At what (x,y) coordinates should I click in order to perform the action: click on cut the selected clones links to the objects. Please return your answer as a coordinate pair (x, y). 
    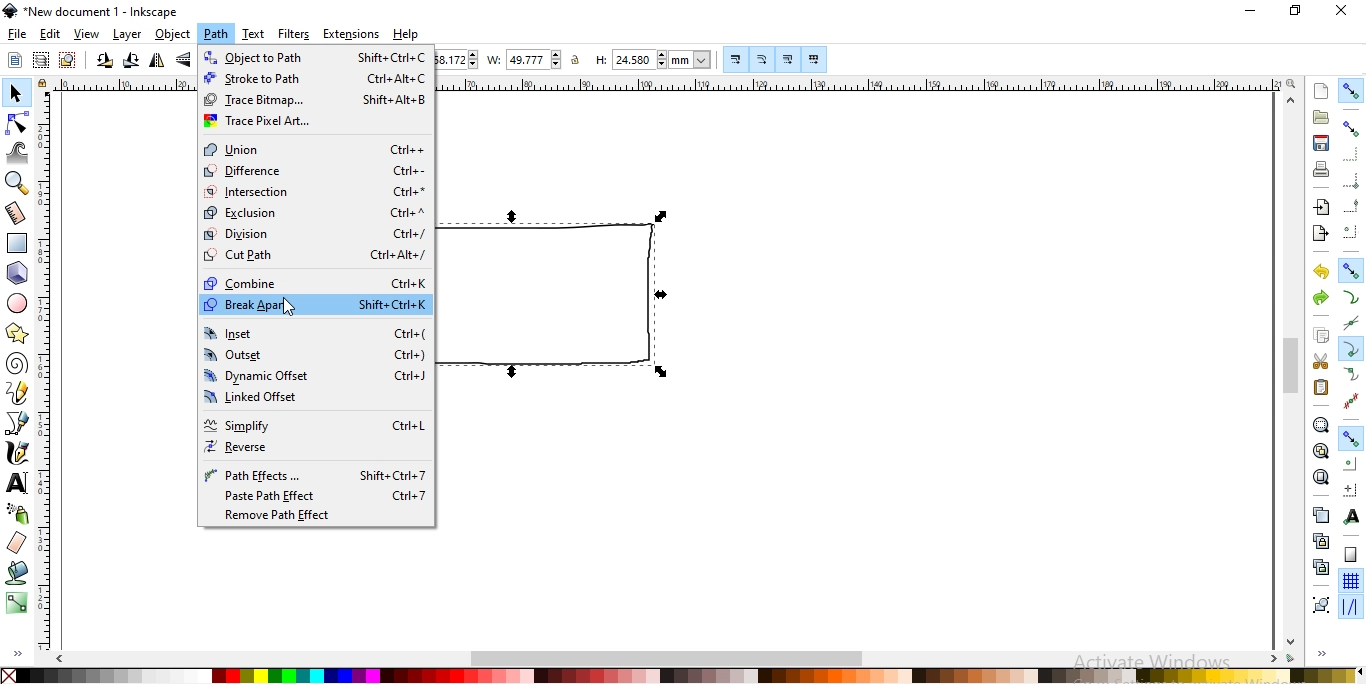
    Looking at the image, I should click on (1318, 568).